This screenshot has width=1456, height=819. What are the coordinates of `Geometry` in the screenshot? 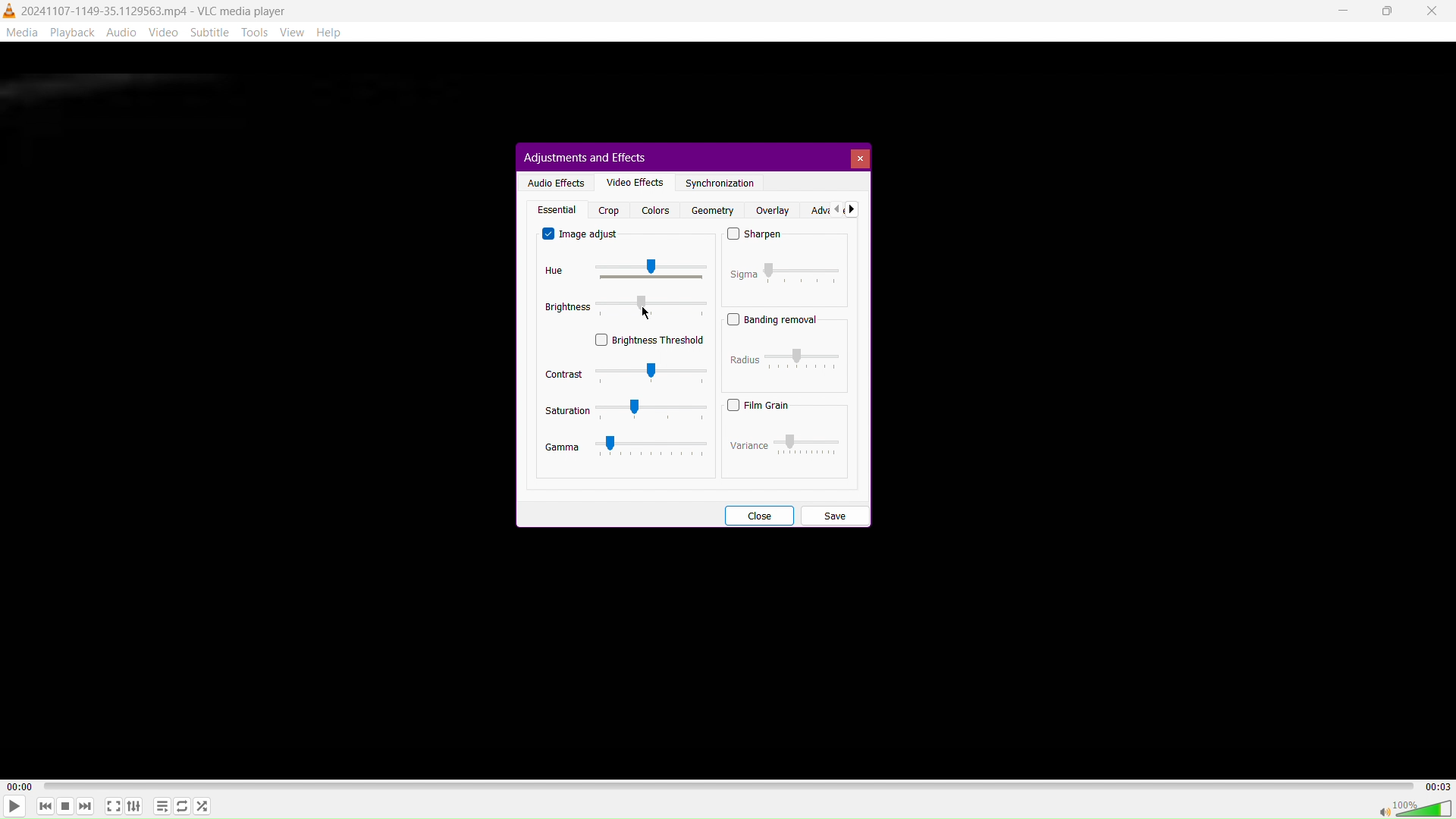 It's located at (710, 210).